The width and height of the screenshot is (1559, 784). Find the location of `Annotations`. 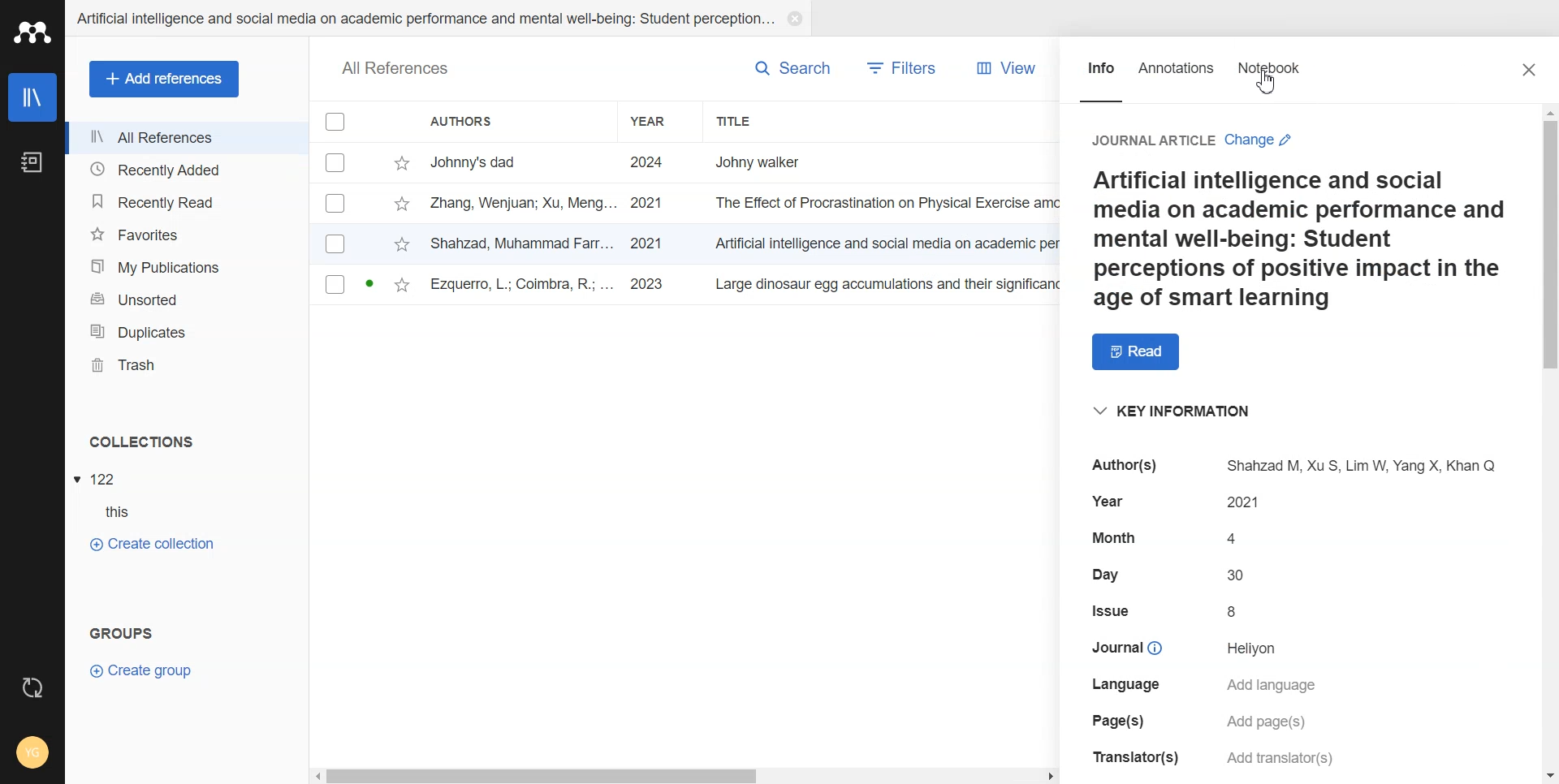

Annotations is located at coordinates (1175, 75).